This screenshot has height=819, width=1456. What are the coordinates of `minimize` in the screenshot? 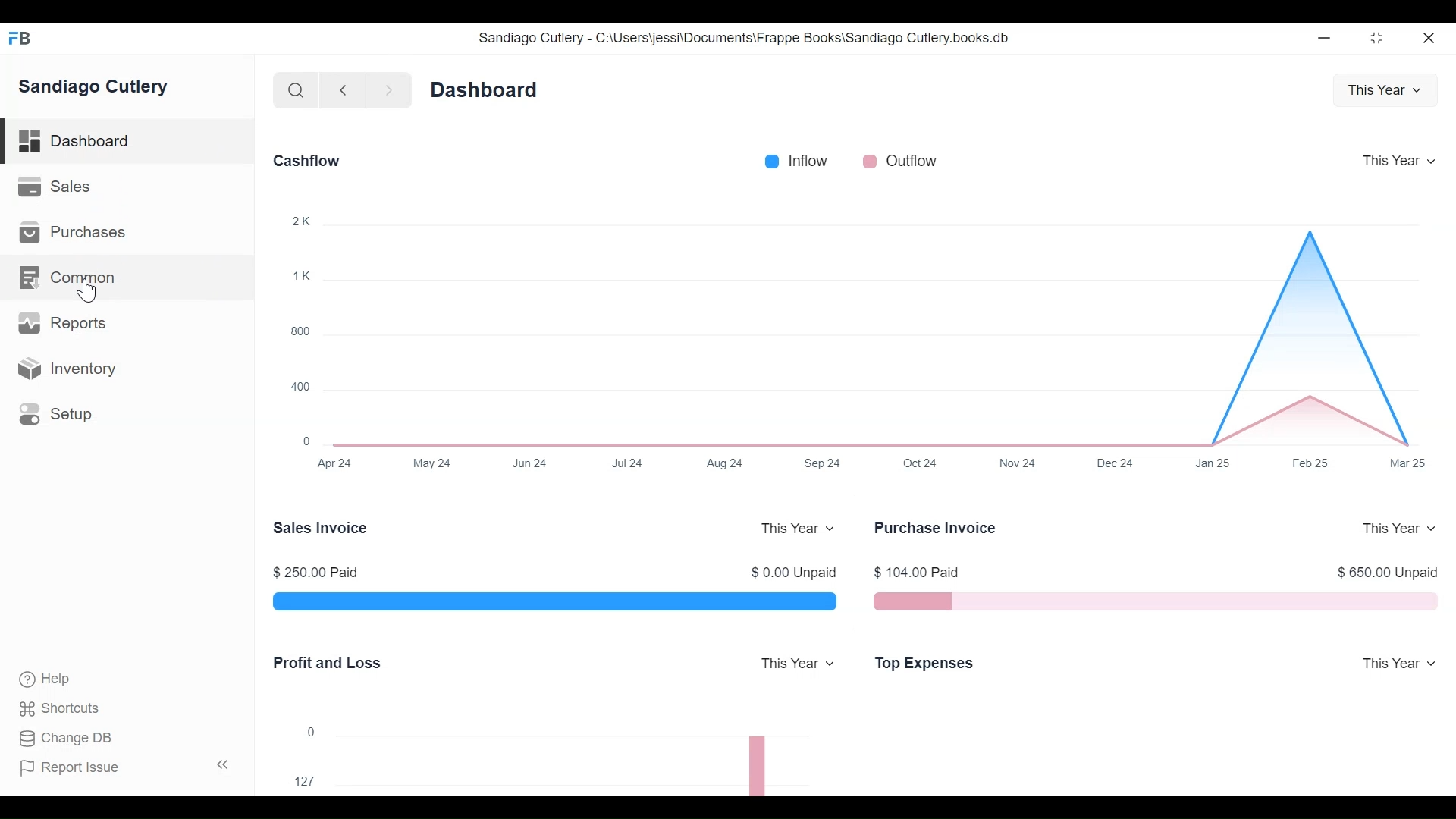 It's located at (1326, 35).